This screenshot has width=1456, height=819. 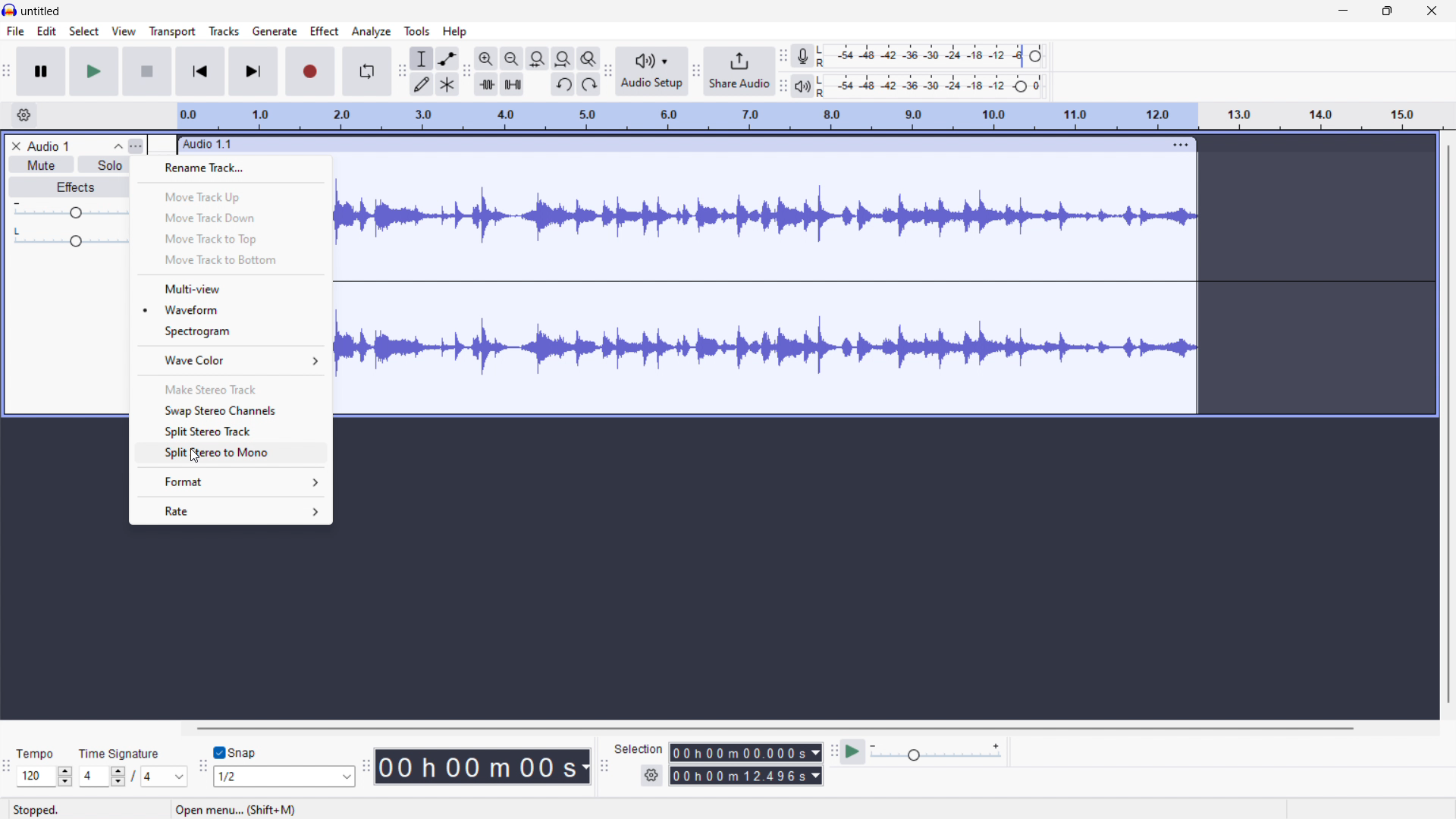 What do you see at coordinates (23, 115) in the screenshot?
I see `timeline settings` at bounding box center [23, 115].